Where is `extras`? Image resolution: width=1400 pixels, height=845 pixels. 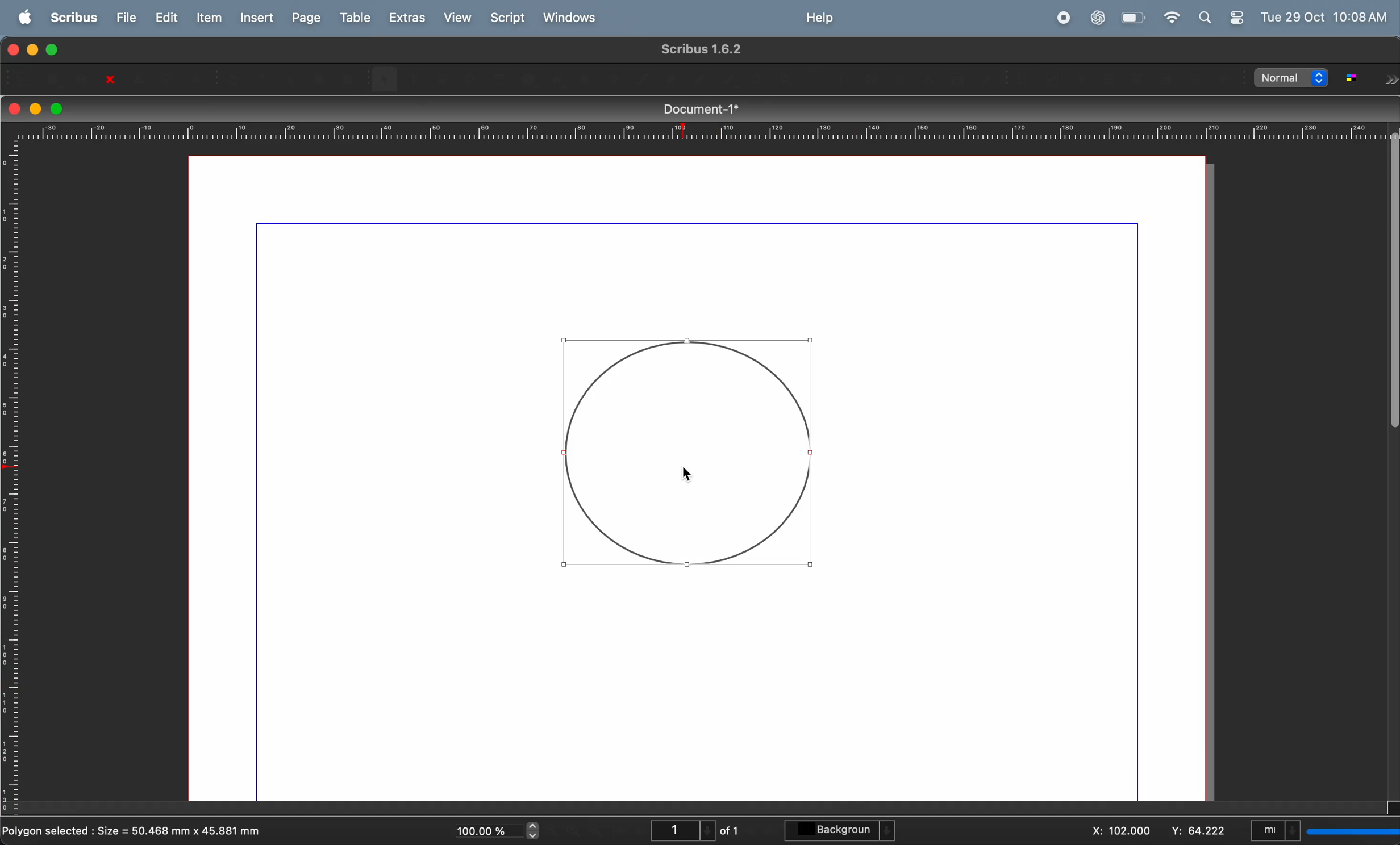 extras is located at coordinates (408, 16).